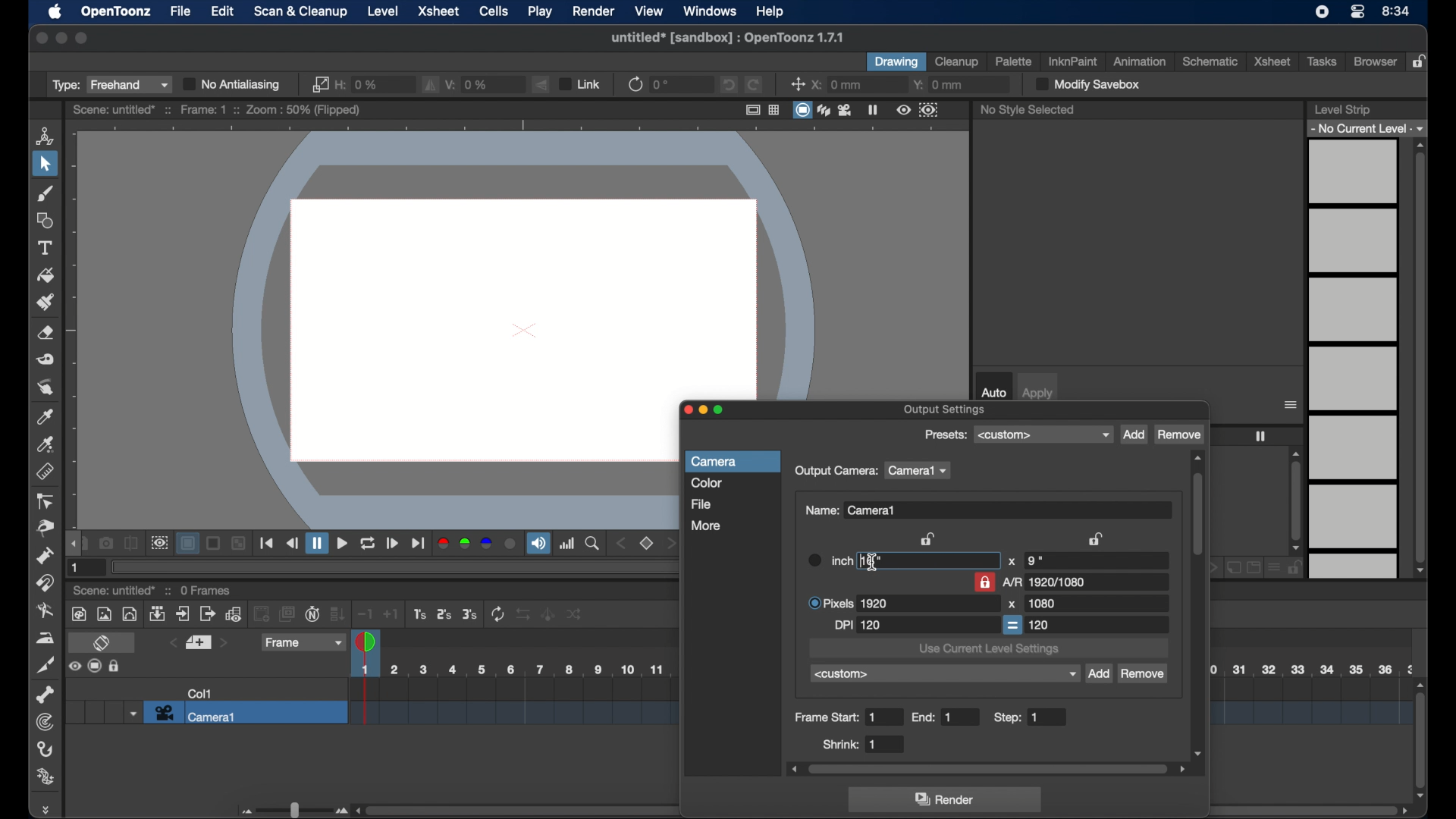 The width and height of the screenshot is (1456, 819). I want to click on histogram, so click(567, 543).